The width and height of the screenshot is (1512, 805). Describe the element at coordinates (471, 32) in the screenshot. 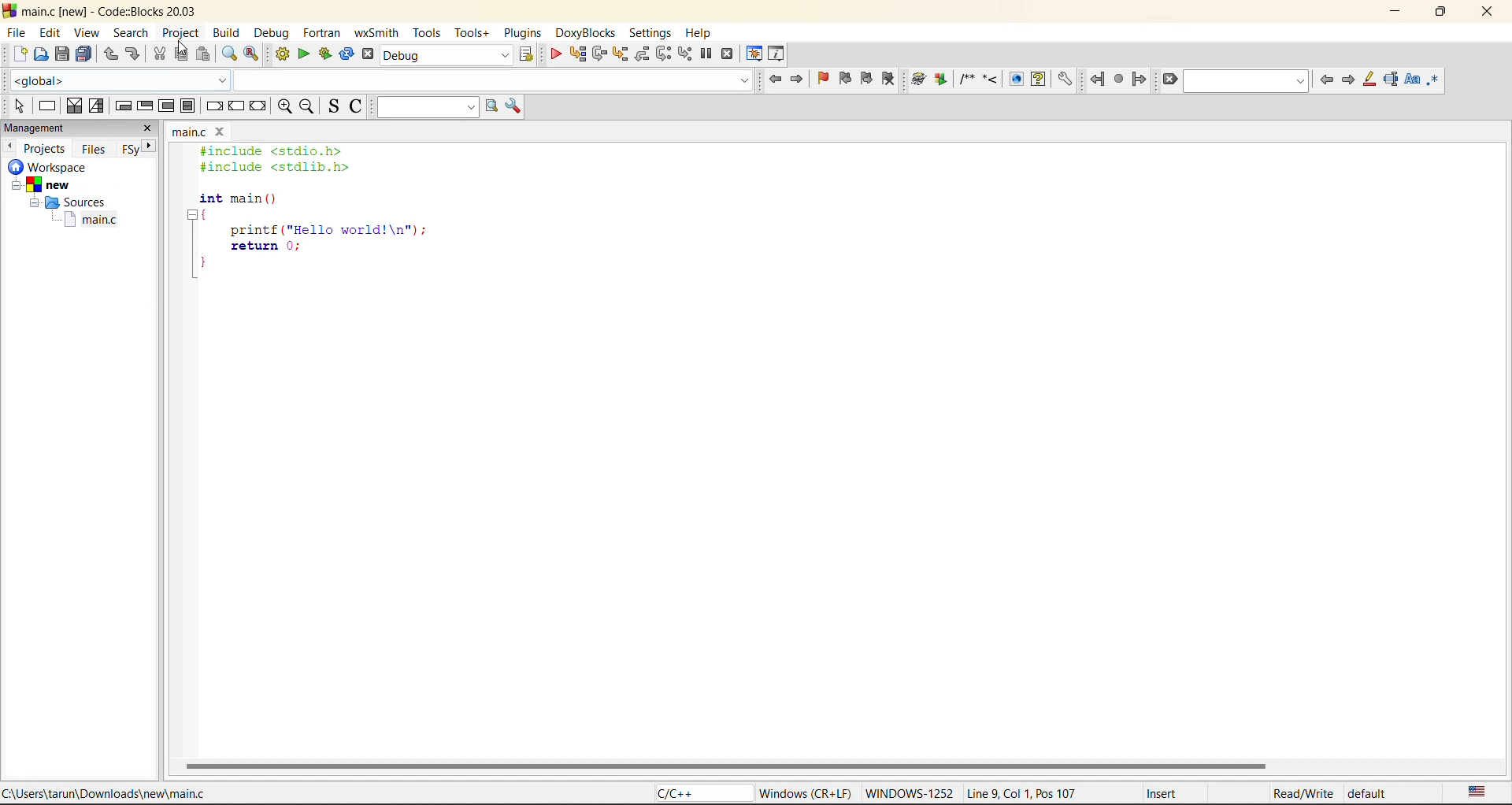

I see `tools+` at that location.